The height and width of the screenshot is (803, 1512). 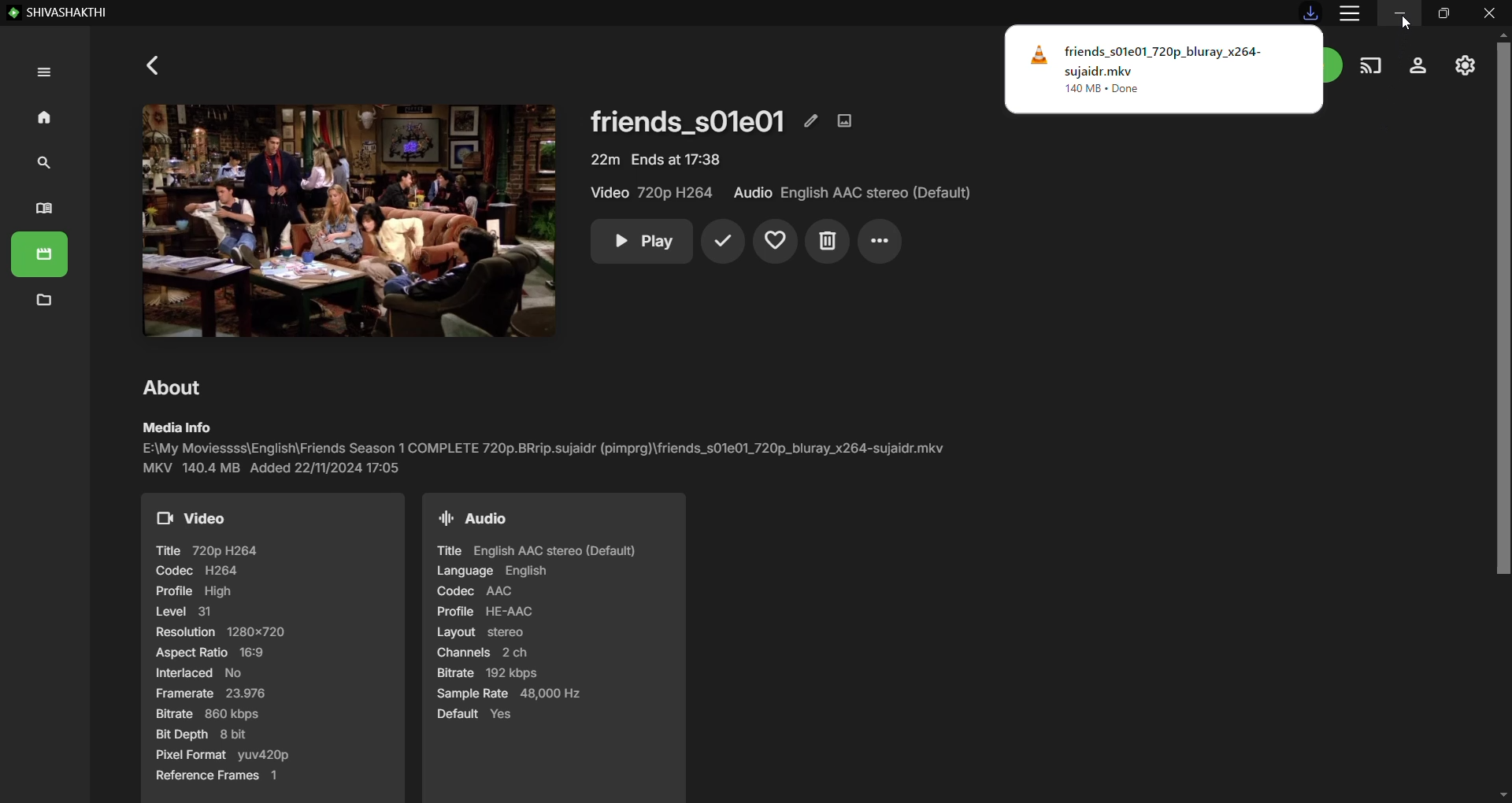 I want to click on About, so click(x=176, y=387).